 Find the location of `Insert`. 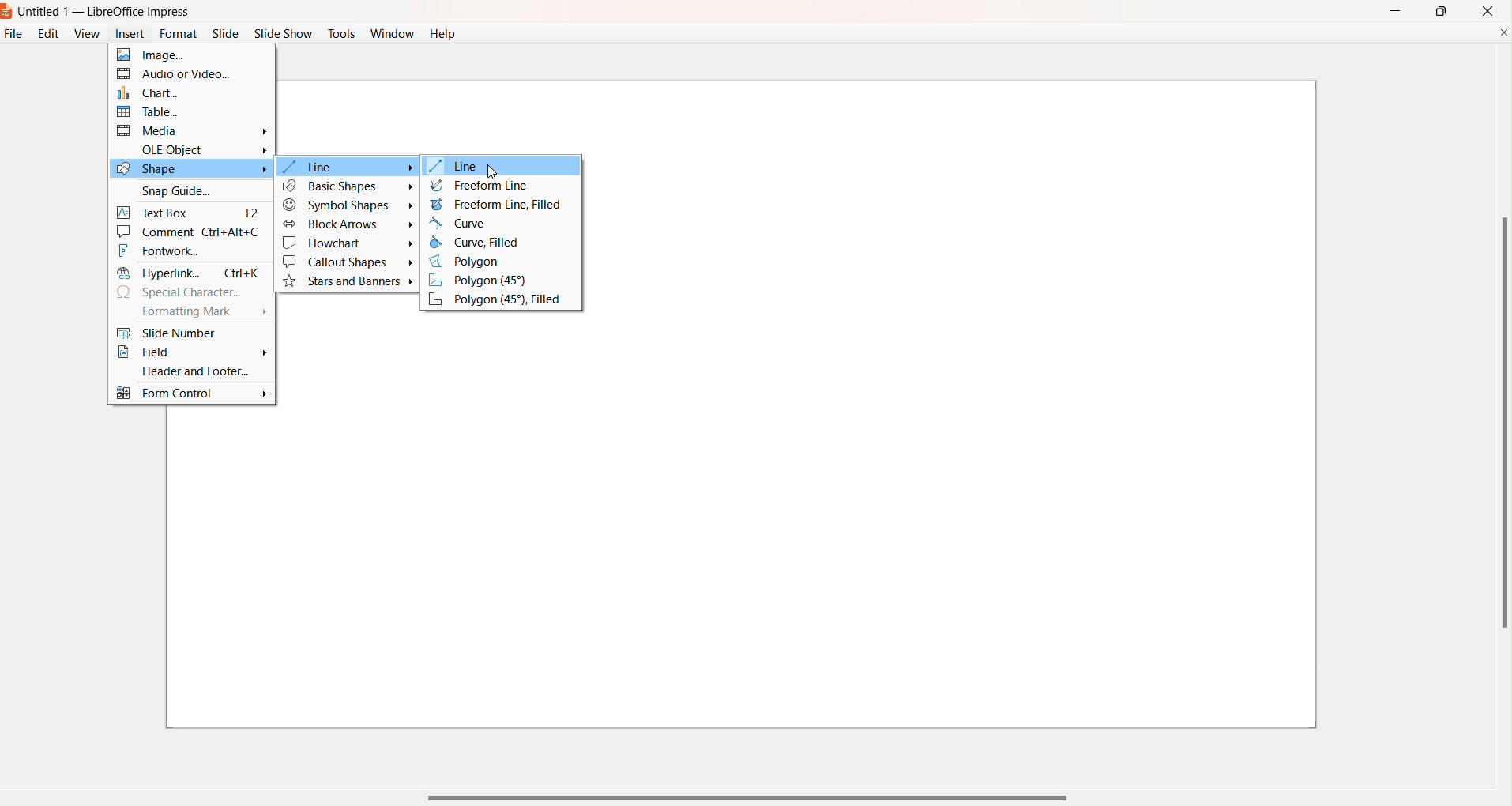

Insert is located at coordinates (127, 36).